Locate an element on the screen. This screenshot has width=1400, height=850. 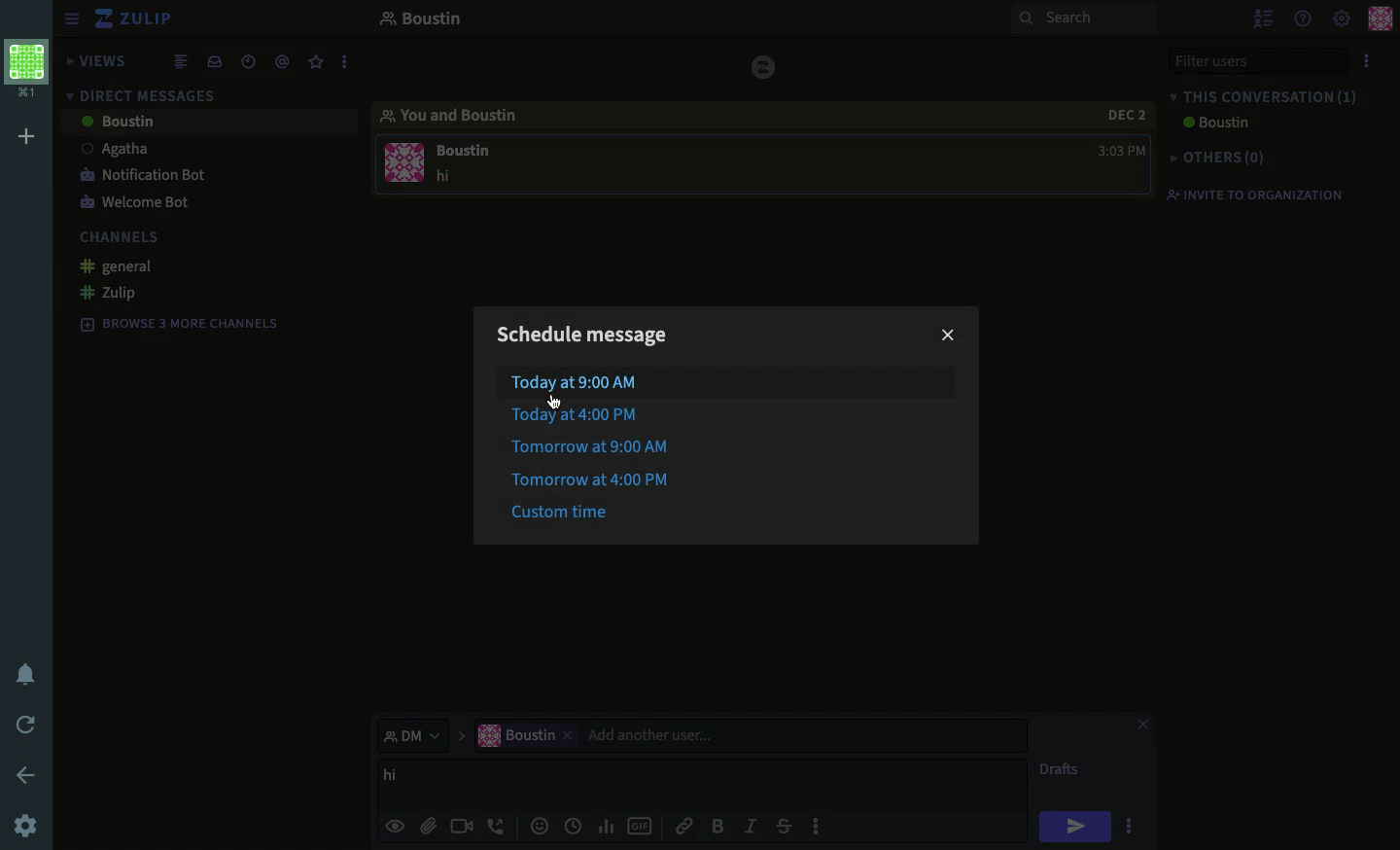
options is located at coordinates (1367, 61).